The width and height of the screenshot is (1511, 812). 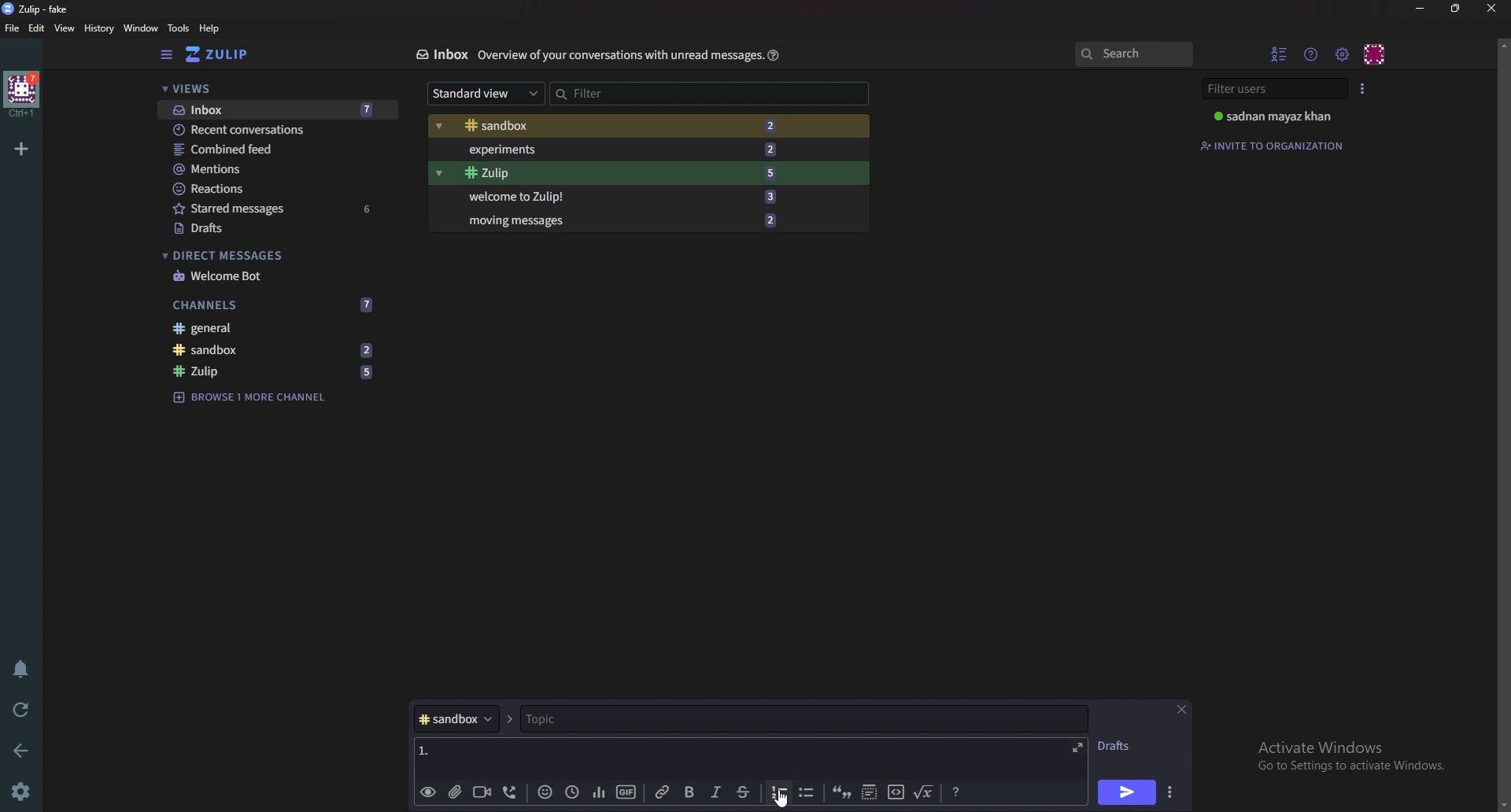 I want to click on number list, so click(x=779, y=792).